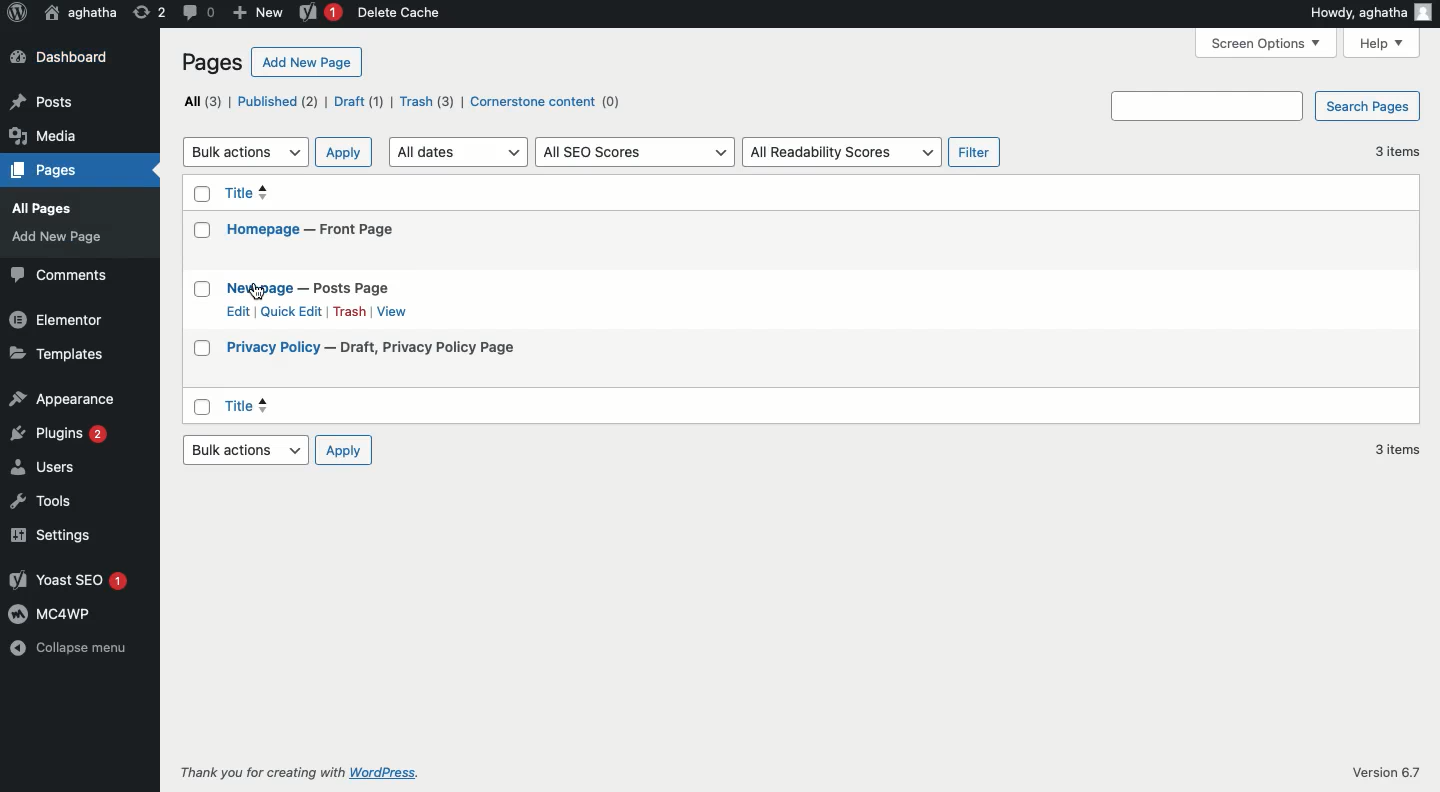 This screenshot has width=1440, height=792. What do you see at coordinates (428, 102) in the screenshot?
I see `Trash` at bounding box center [428, 102].